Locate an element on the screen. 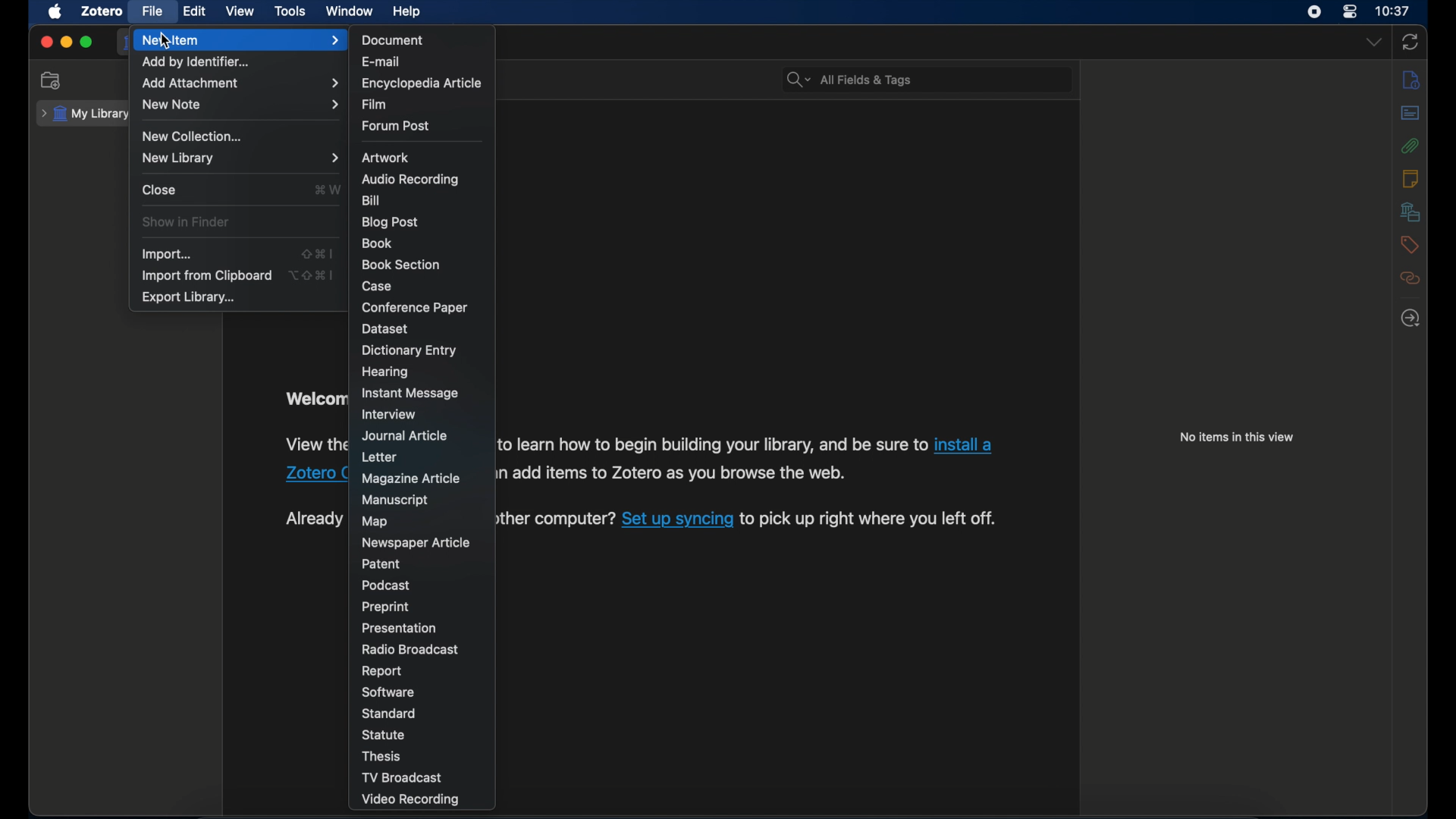 Image resolution: width=1456 pixels, height=819 pixels. no items in this view is located at coordinates (1238, 438).